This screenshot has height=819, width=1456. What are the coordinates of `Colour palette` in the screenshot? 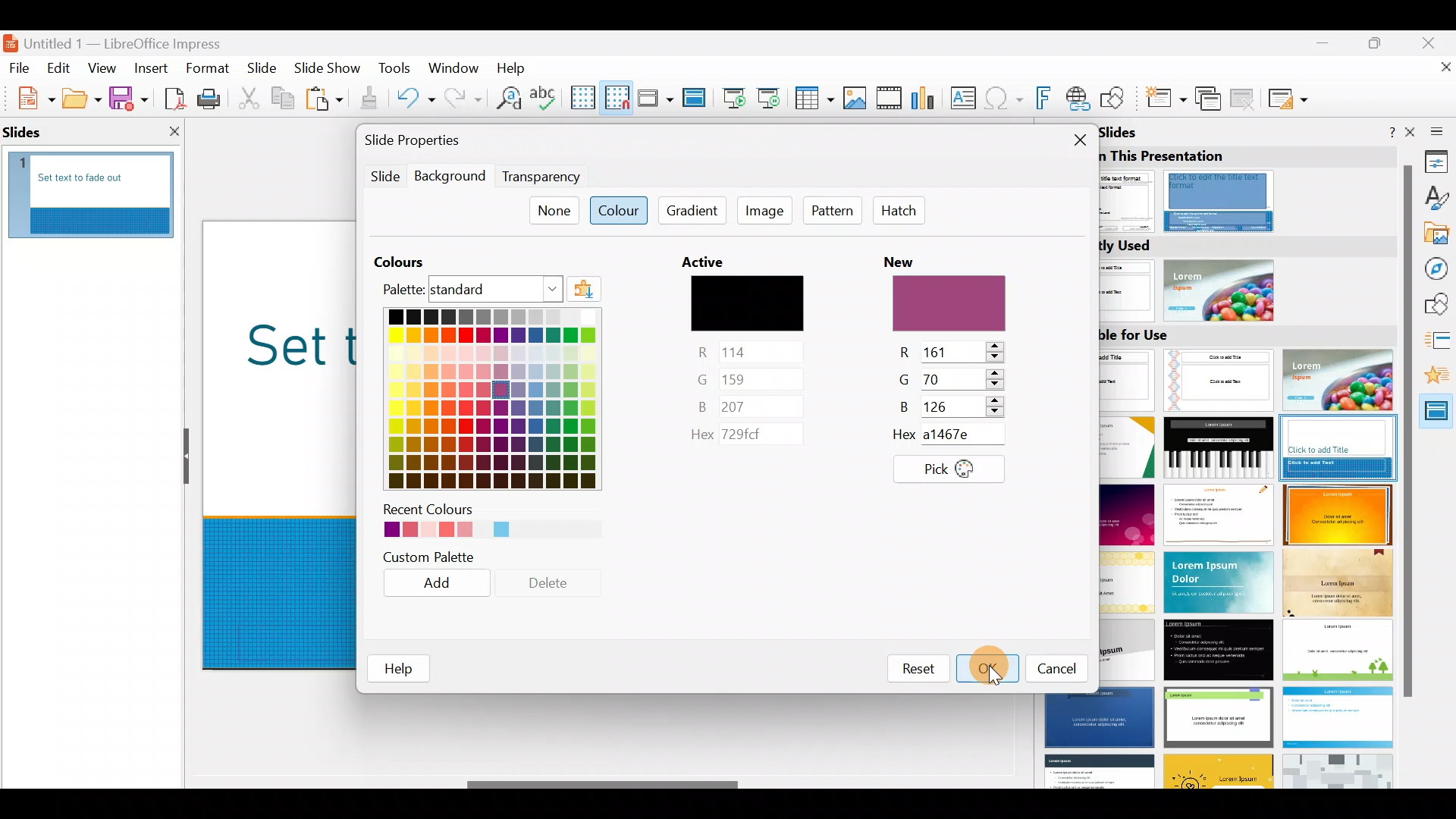 It's located at (484, 372).